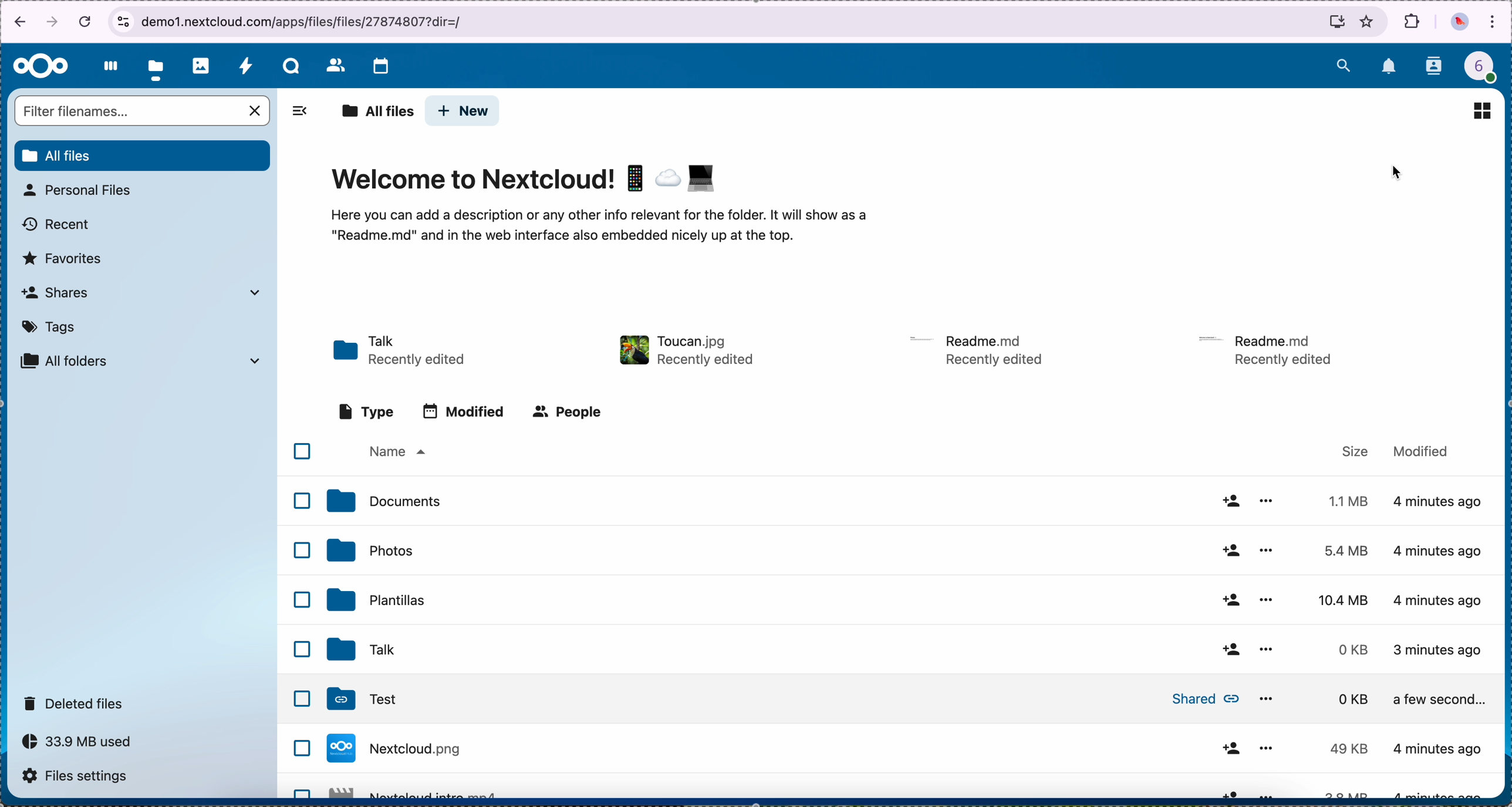  Describe the element at coordinates (1229, 549) in the screenshot. I see `share` at that location.